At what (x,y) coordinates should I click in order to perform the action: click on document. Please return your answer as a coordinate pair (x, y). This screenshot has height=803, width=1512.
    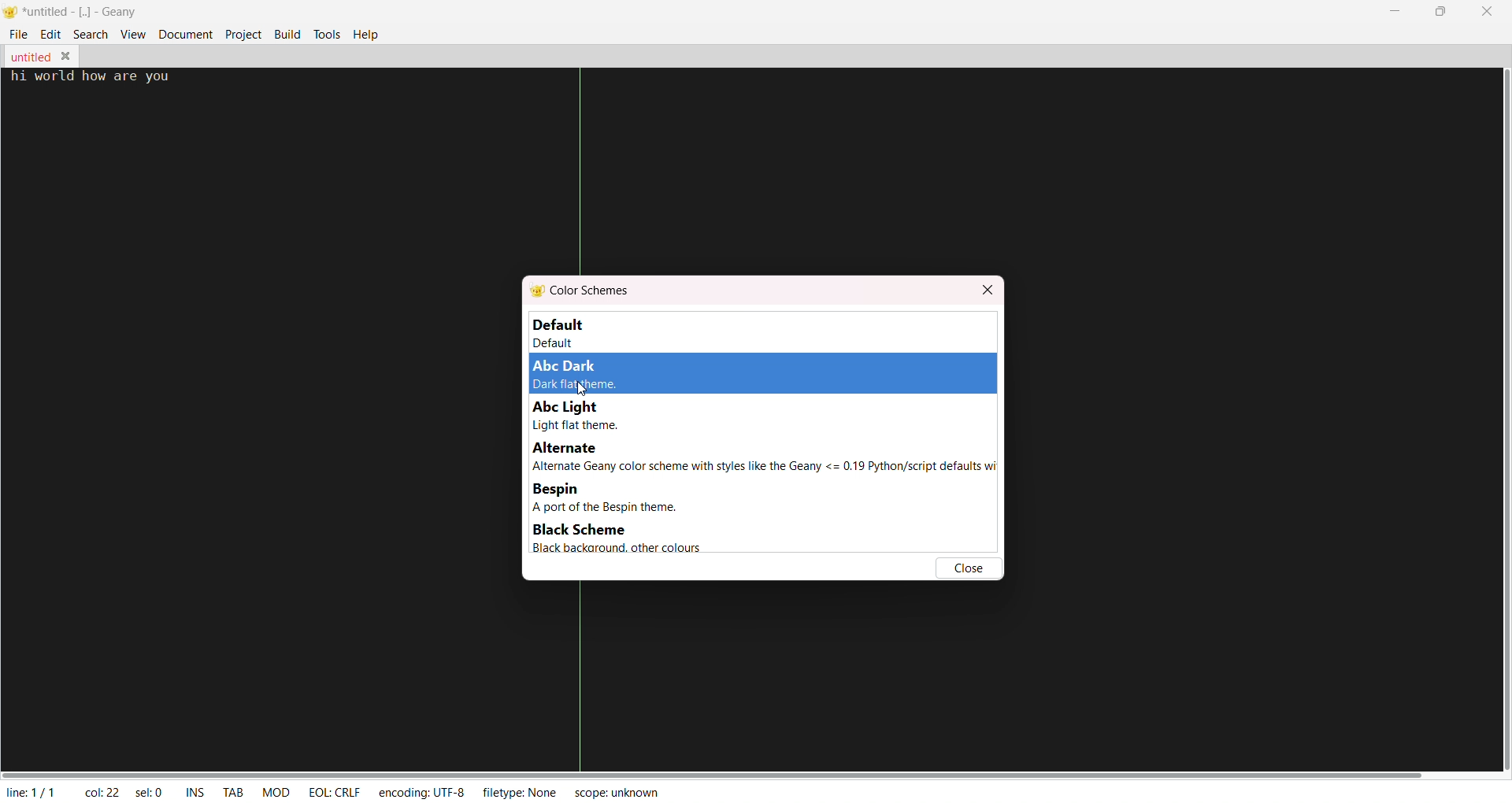
    Looking at the image, I should click on (185, 32).